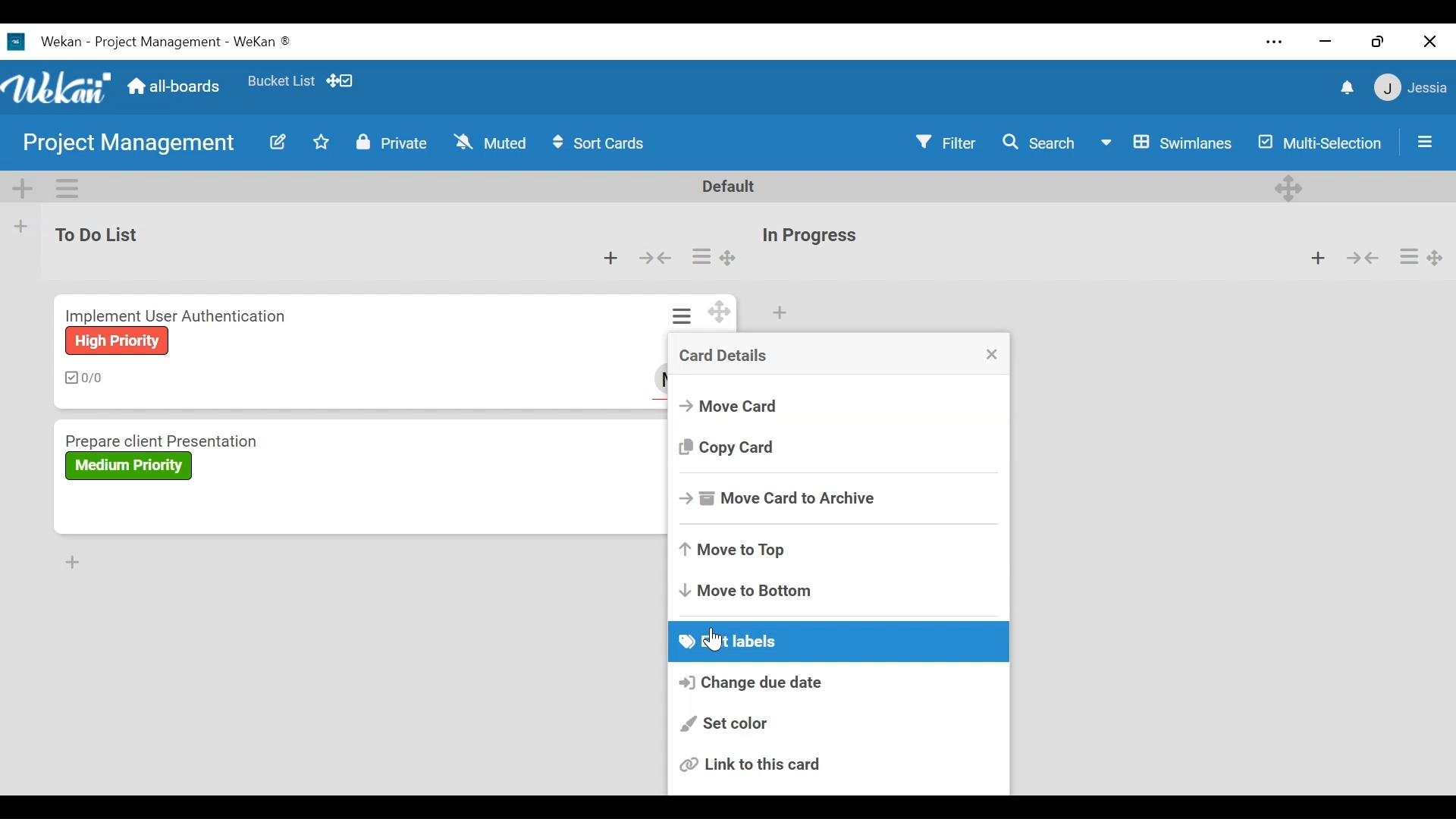 The width and height of the screenshot is (1456, 819). I want to click on Label, so click(116, 340).